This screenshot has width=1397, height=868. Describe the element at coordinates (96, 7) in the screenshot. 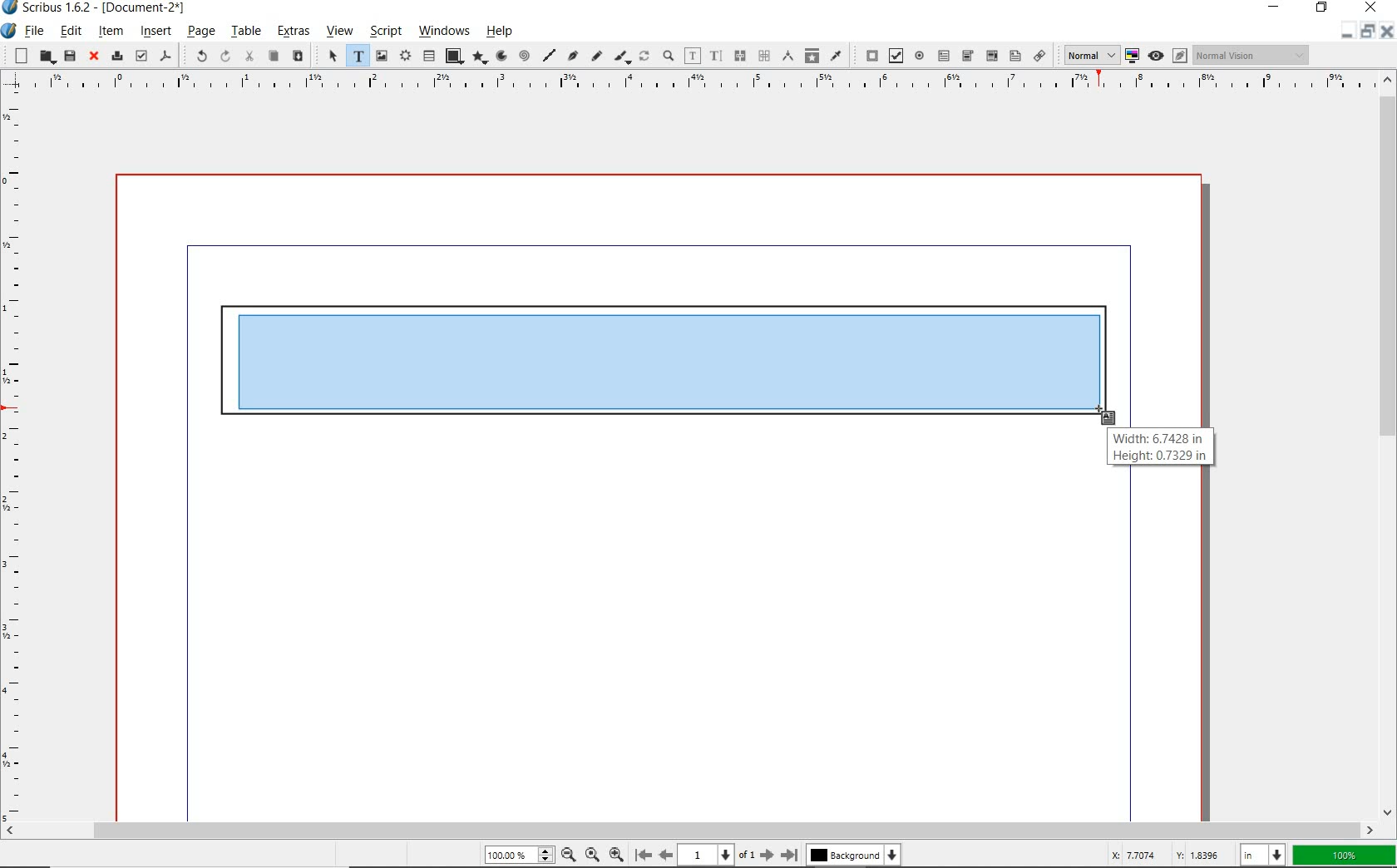

I see `system name` at that location.